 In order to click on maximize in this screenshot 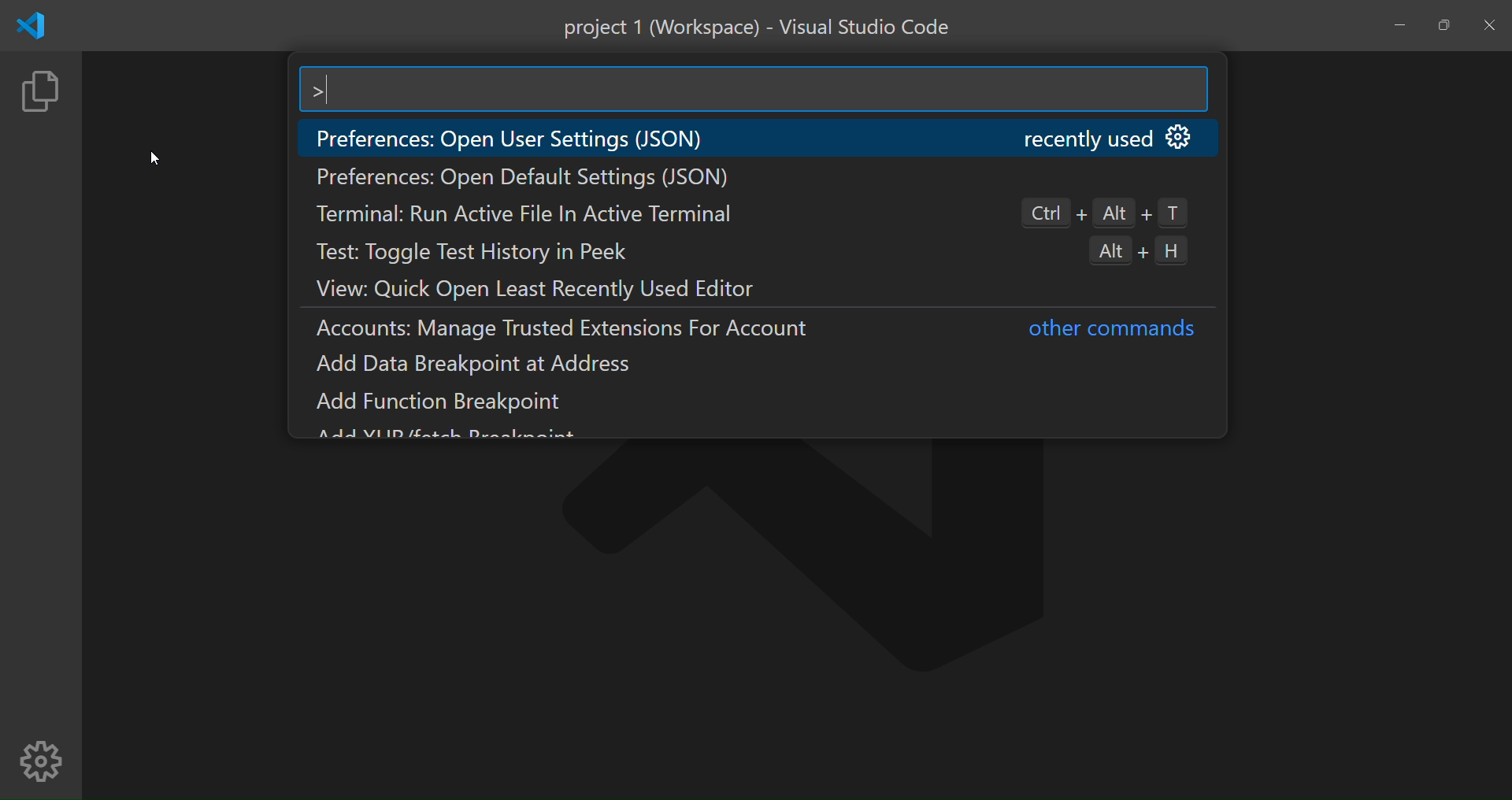, I will do `click(1442, 26)`.